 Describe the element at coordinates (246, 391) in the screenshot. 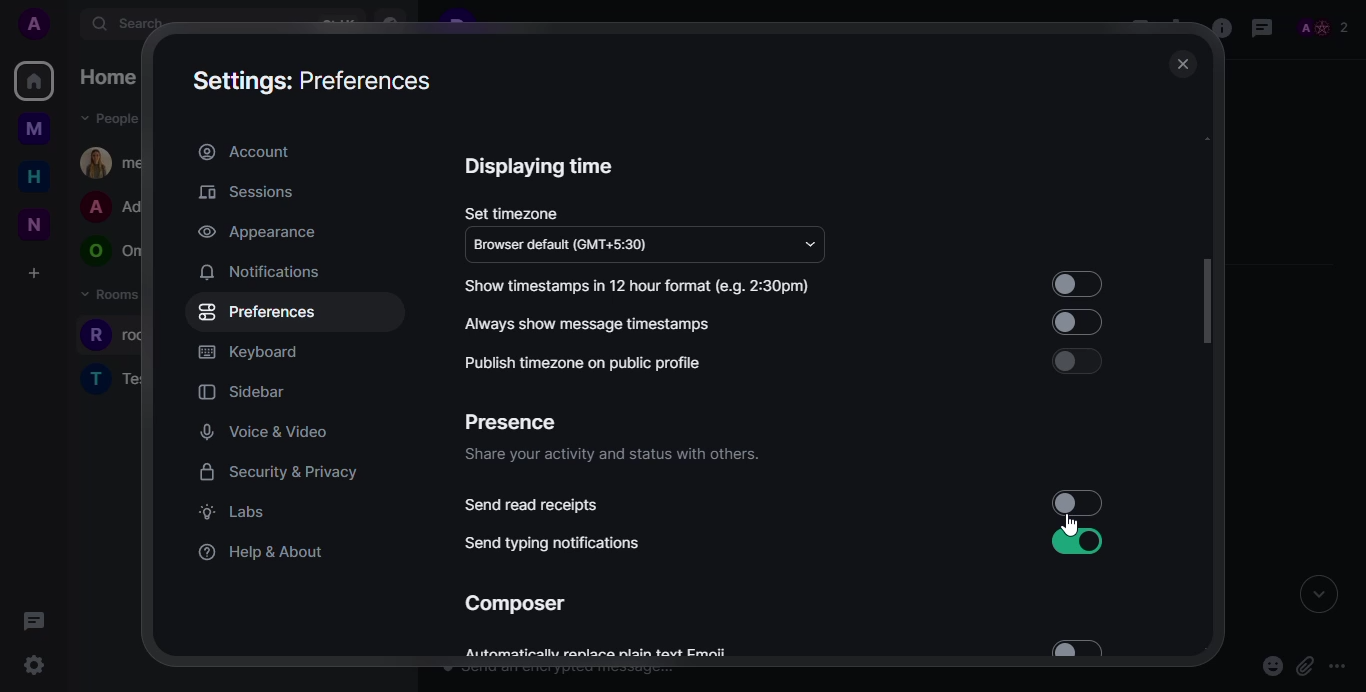

I see `sidebar` at that location.